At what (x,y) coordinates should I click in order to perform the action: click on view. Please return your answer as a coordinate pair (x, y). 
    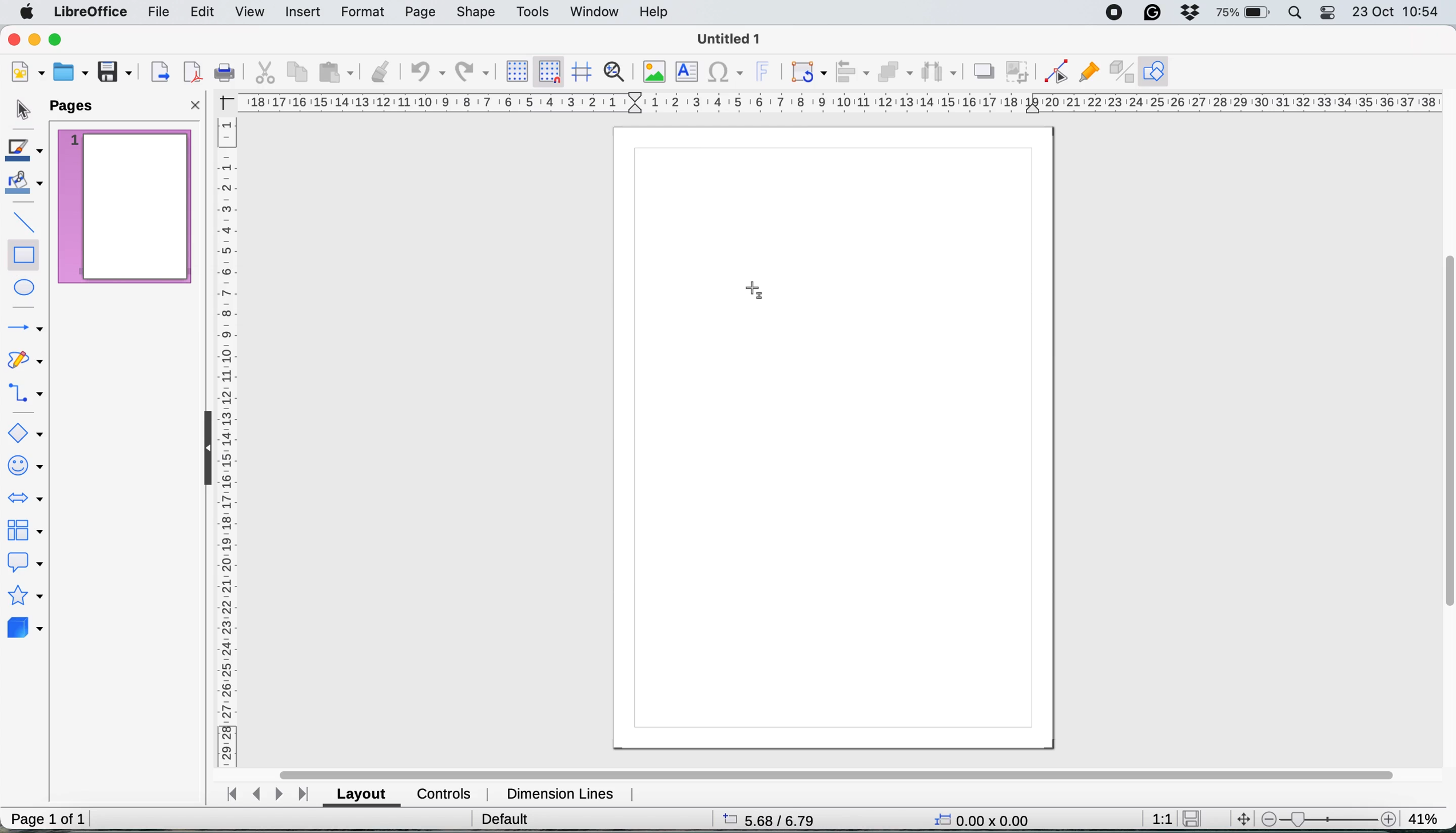
    Looking at the image, I should click on (252, 13).